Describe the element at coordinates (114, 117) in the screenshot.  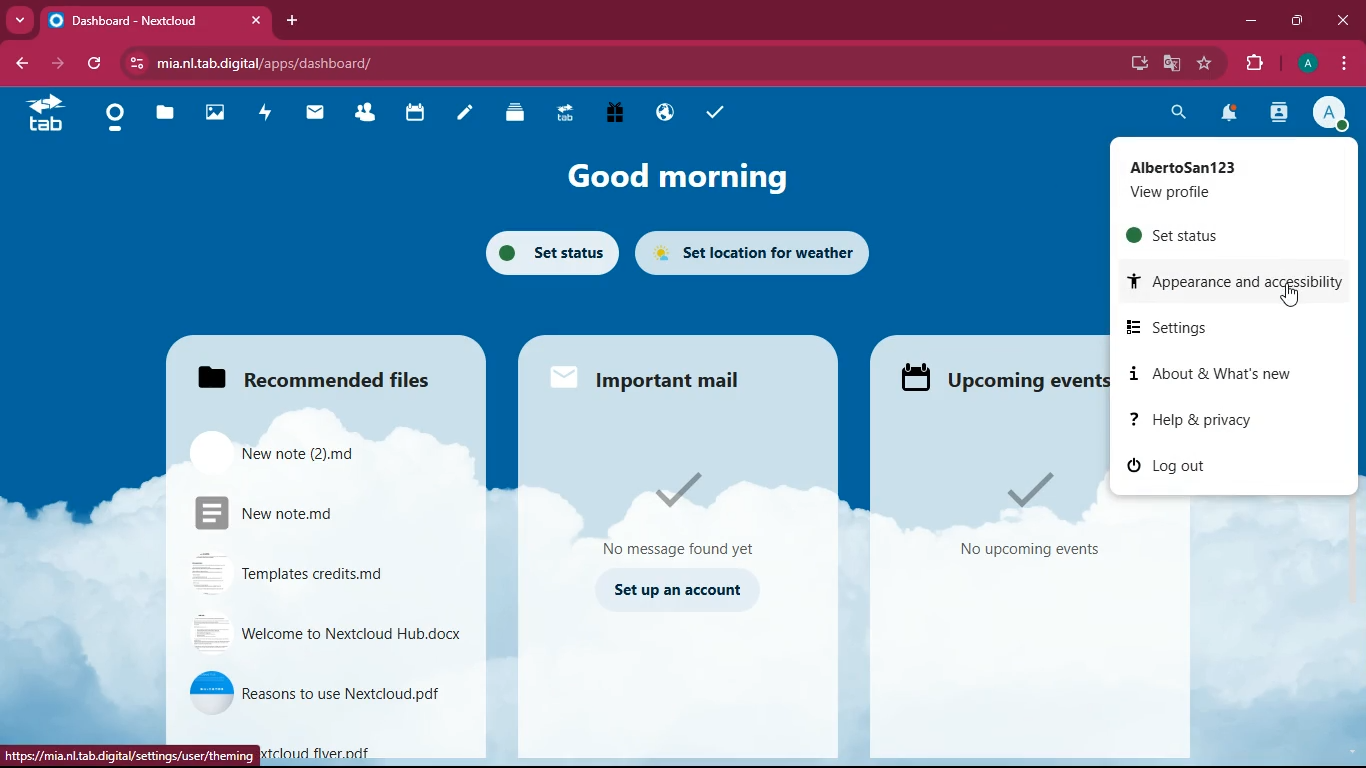
I see `home` at that location.